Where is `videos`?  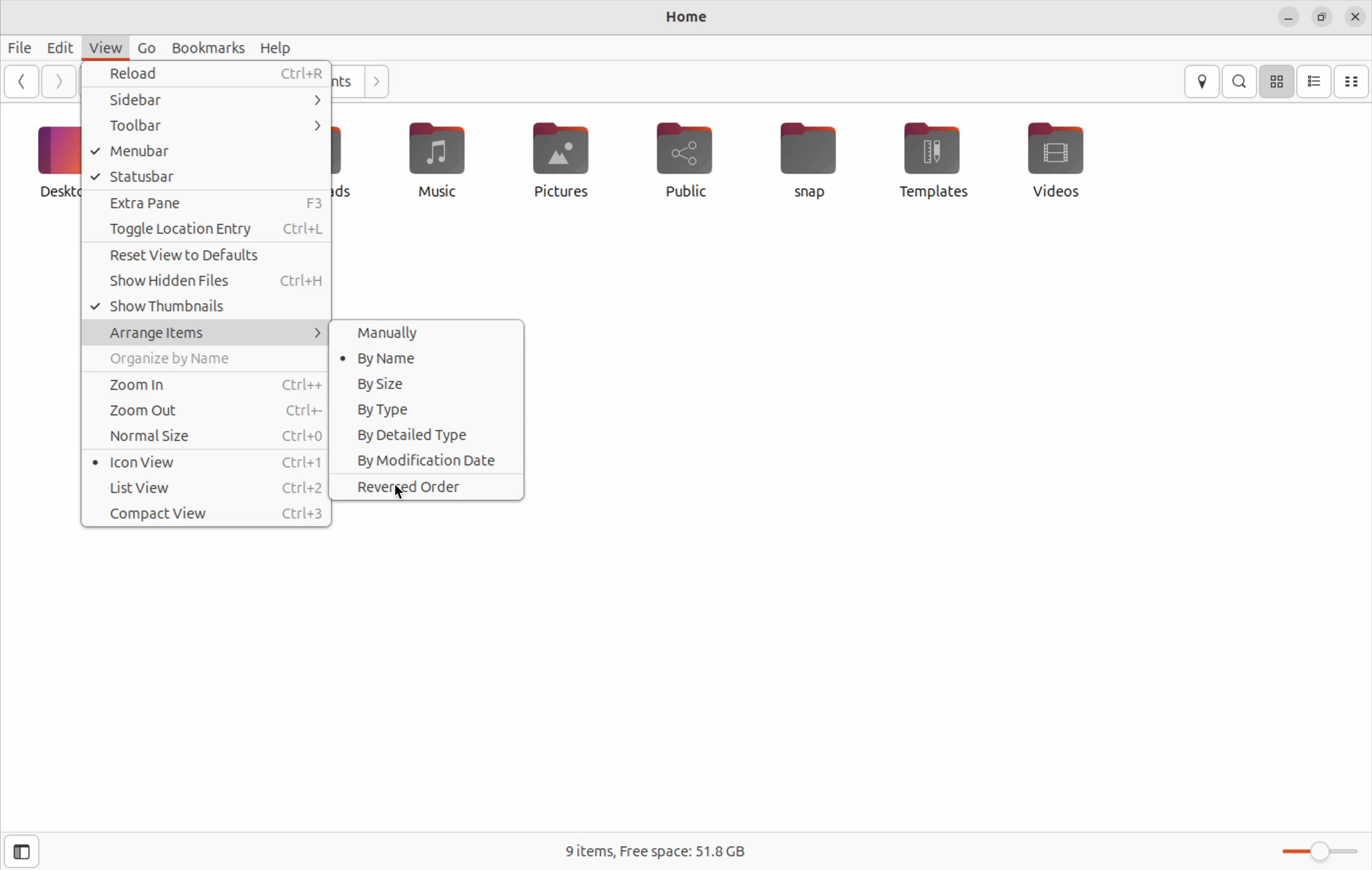
videos is located at coordinates (1064, 159).